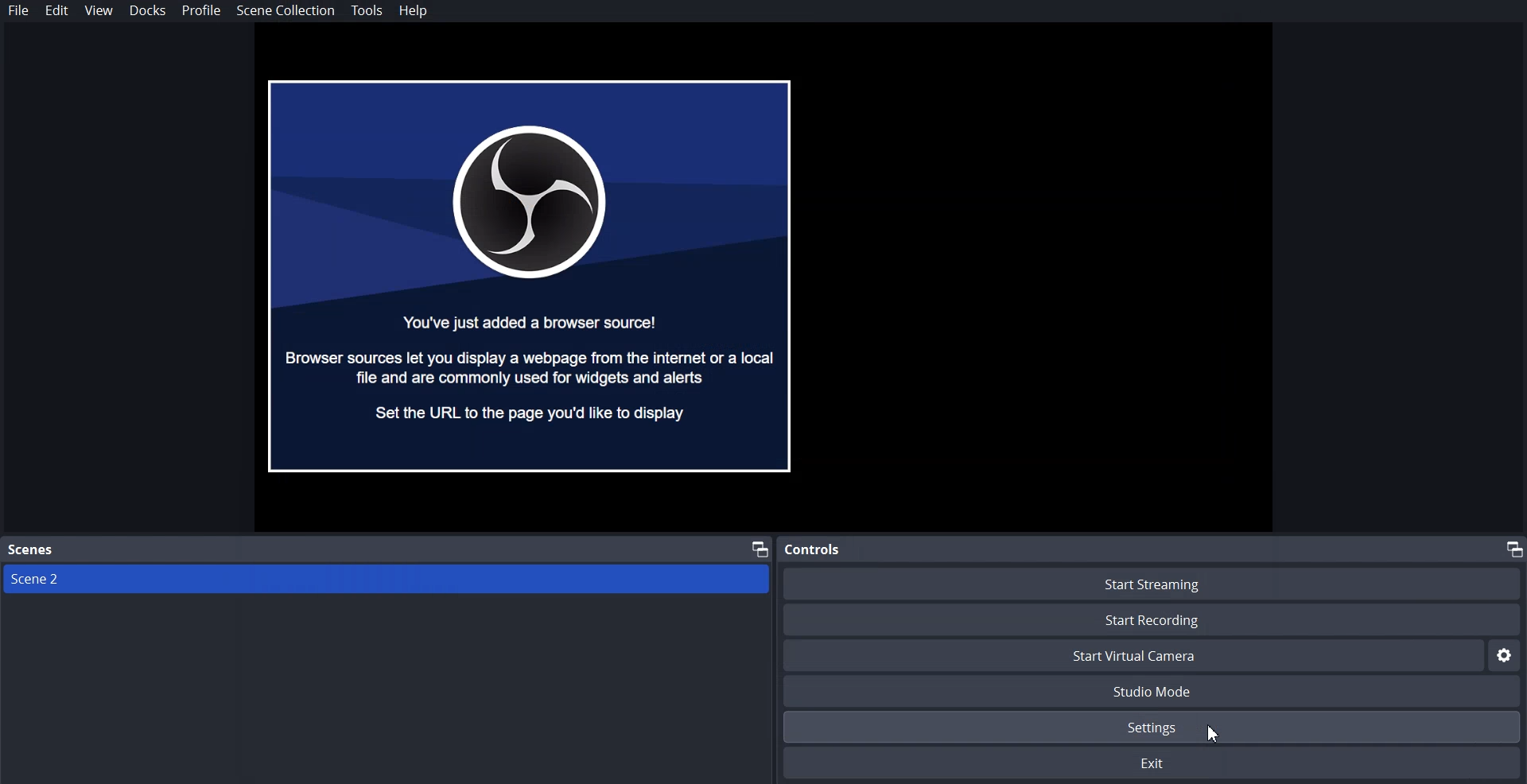 This screenshot has width=1527, height=784. What do you see at coordinates (1512, 548) in the screenshot?
I see `Maximize` at bounding box center [1512, 548].